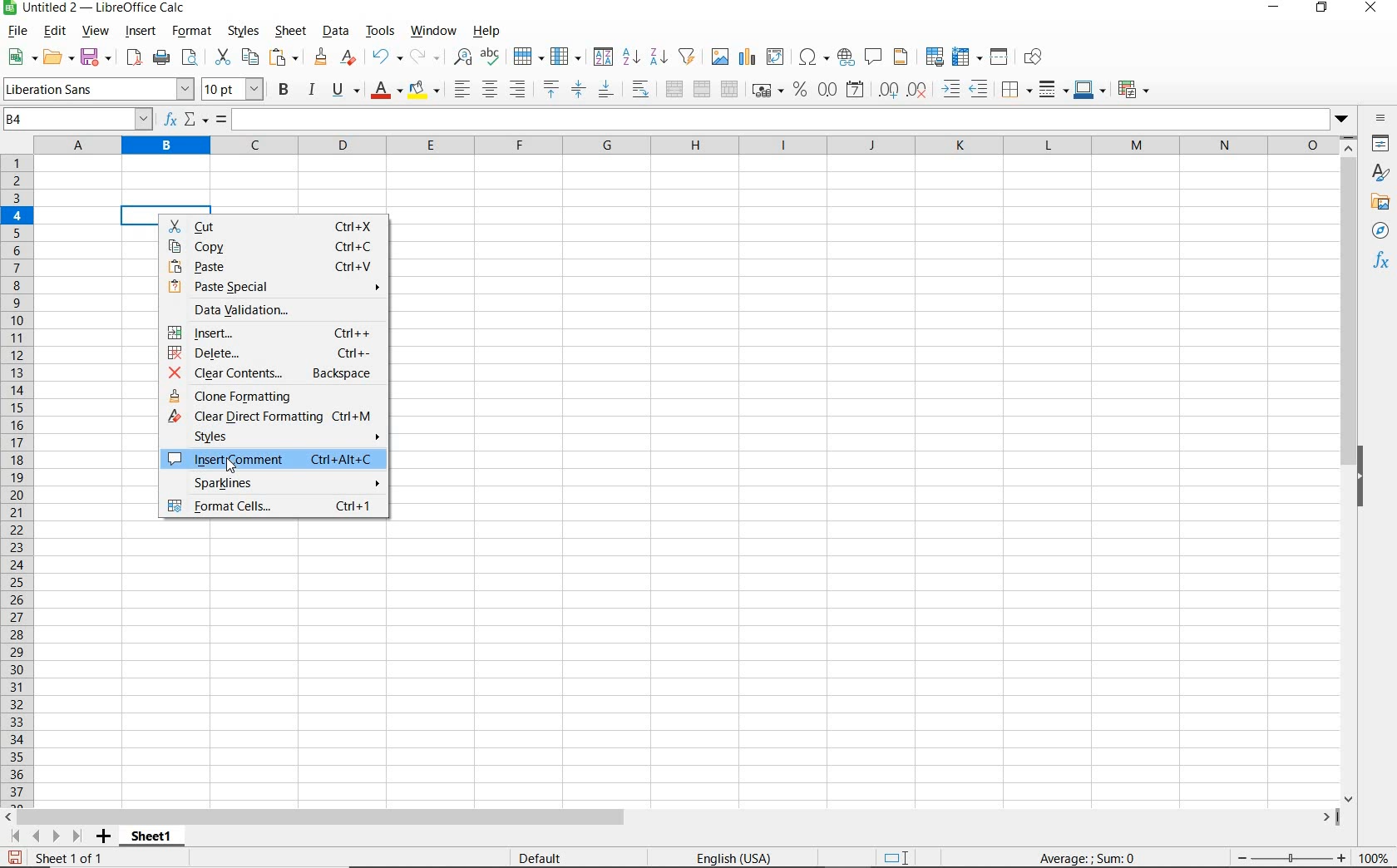 The width and height of the screenshot is (1397, 868). What do you see at coordinates (233, 89) in the screenshot?
I see `font size` at bounding box center [233, 89].